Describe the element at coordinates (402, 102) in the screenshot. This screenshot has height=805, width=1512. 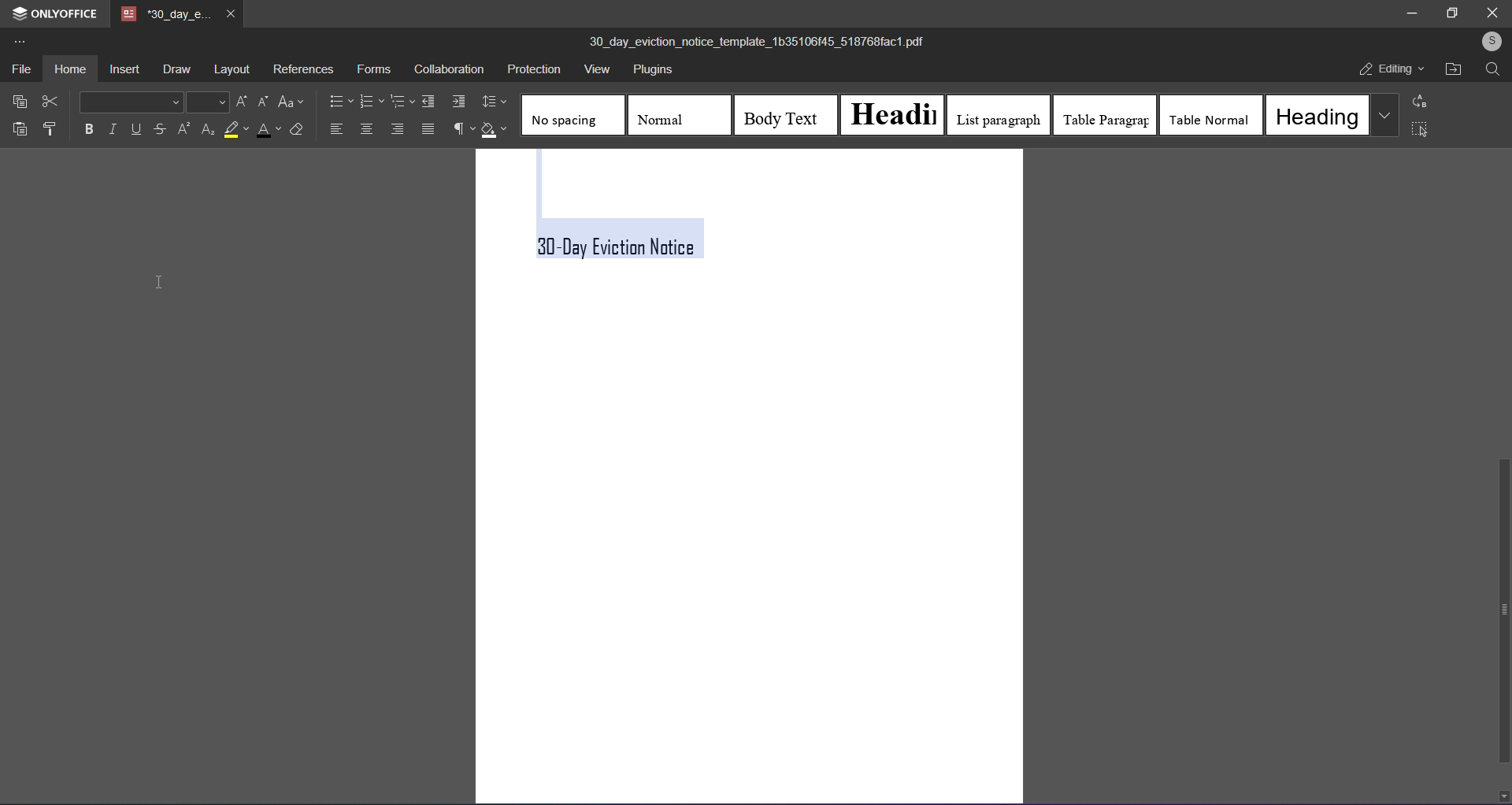
I see `multilevel list` at that location.